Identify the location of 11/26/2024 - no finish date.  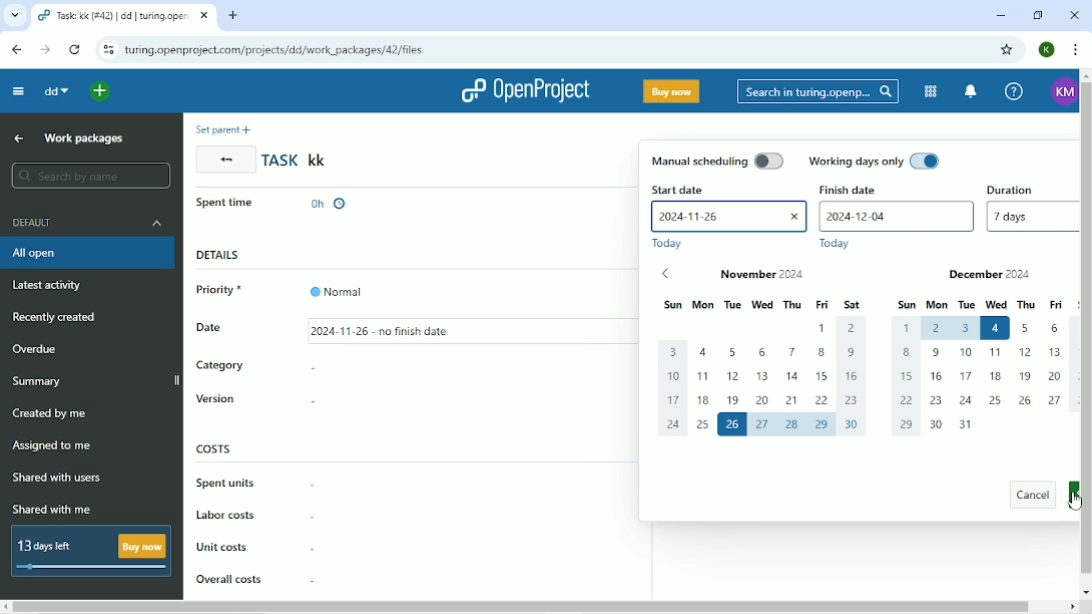
(388, 329).